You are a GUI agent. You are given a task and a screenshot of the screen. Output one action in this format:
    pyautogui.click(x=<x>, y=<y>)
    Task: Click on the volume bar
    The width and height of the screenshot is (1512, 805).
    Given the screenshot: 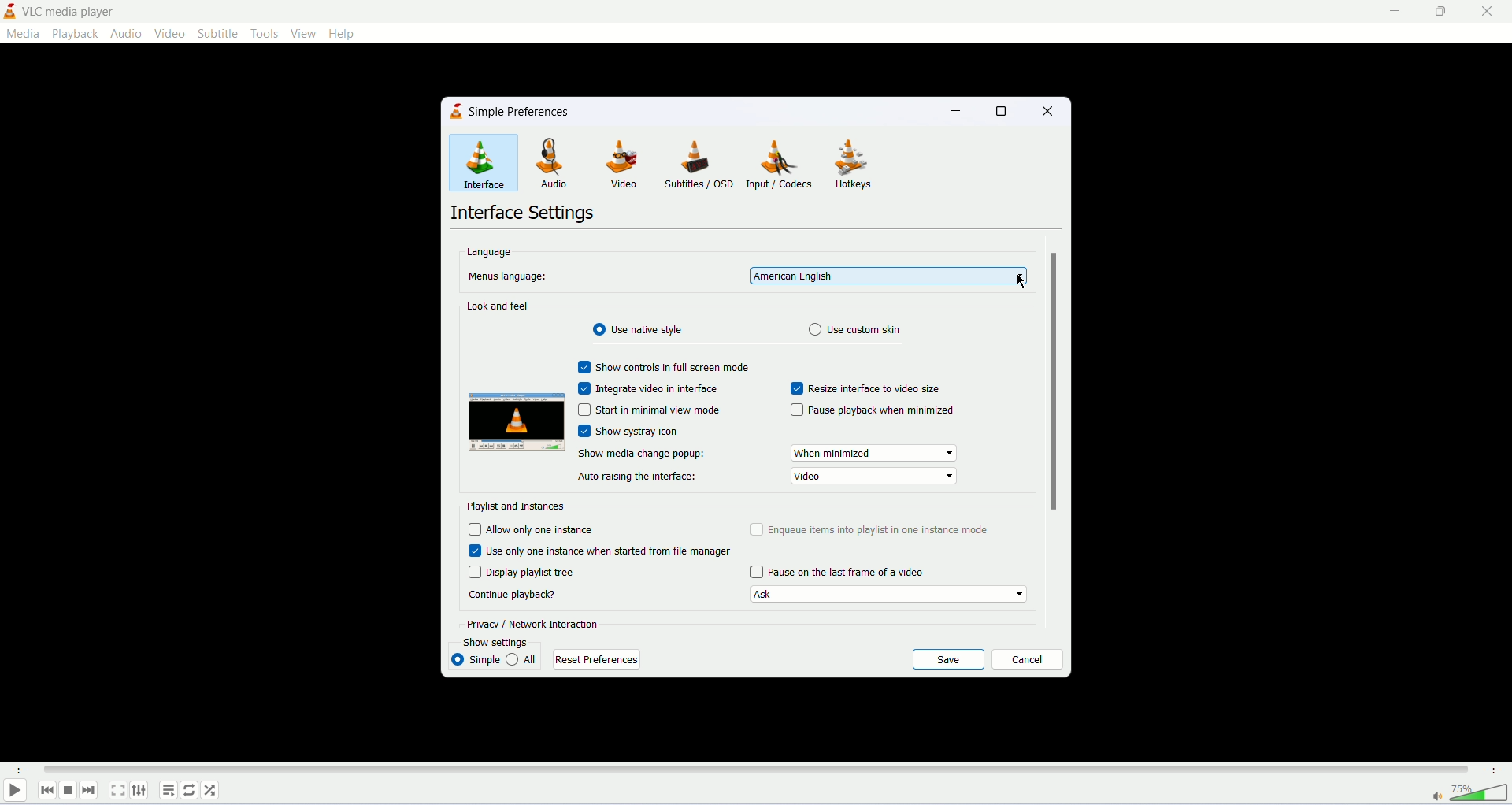 What is the action you would take?
    pyautogui.click(x=1480, y=793)
    